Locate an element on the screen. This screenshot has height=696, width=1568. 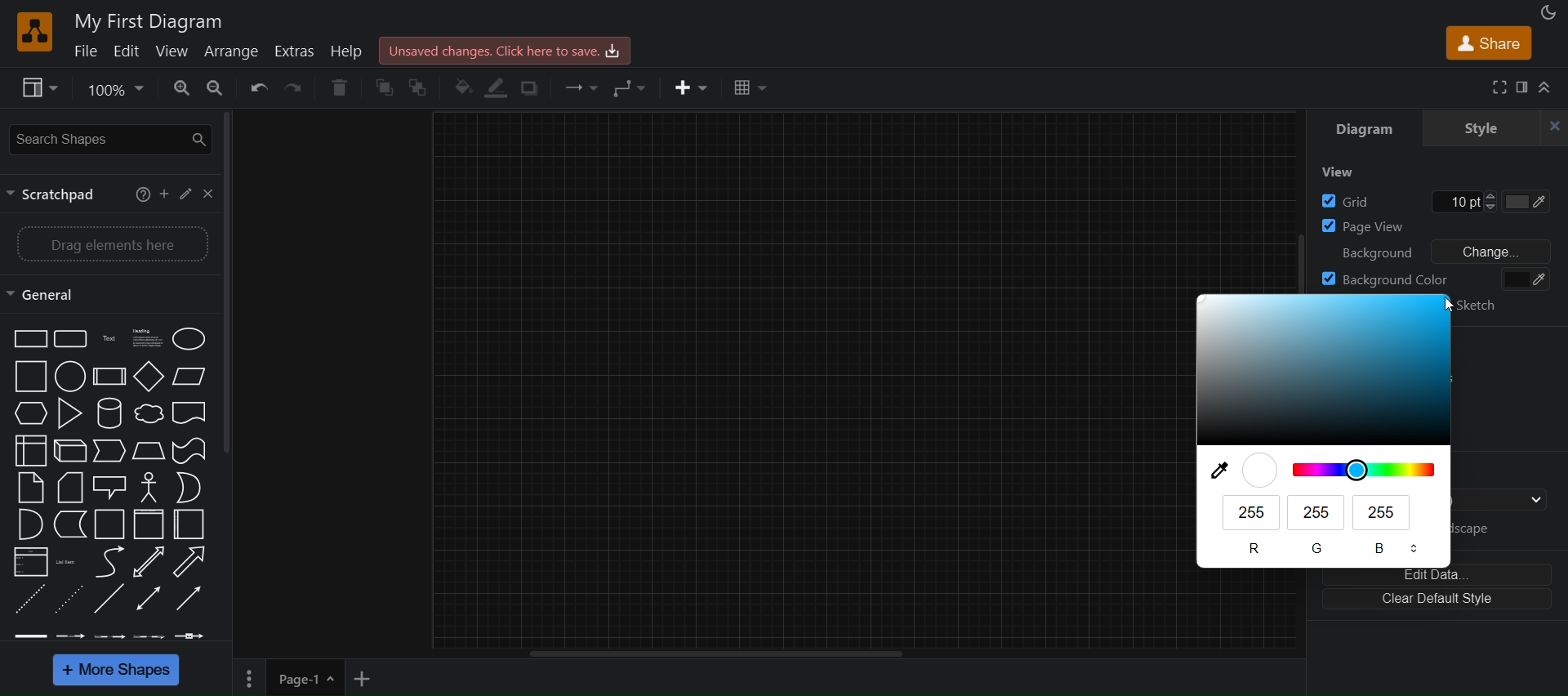
change is located at coordinates (1489, 250).